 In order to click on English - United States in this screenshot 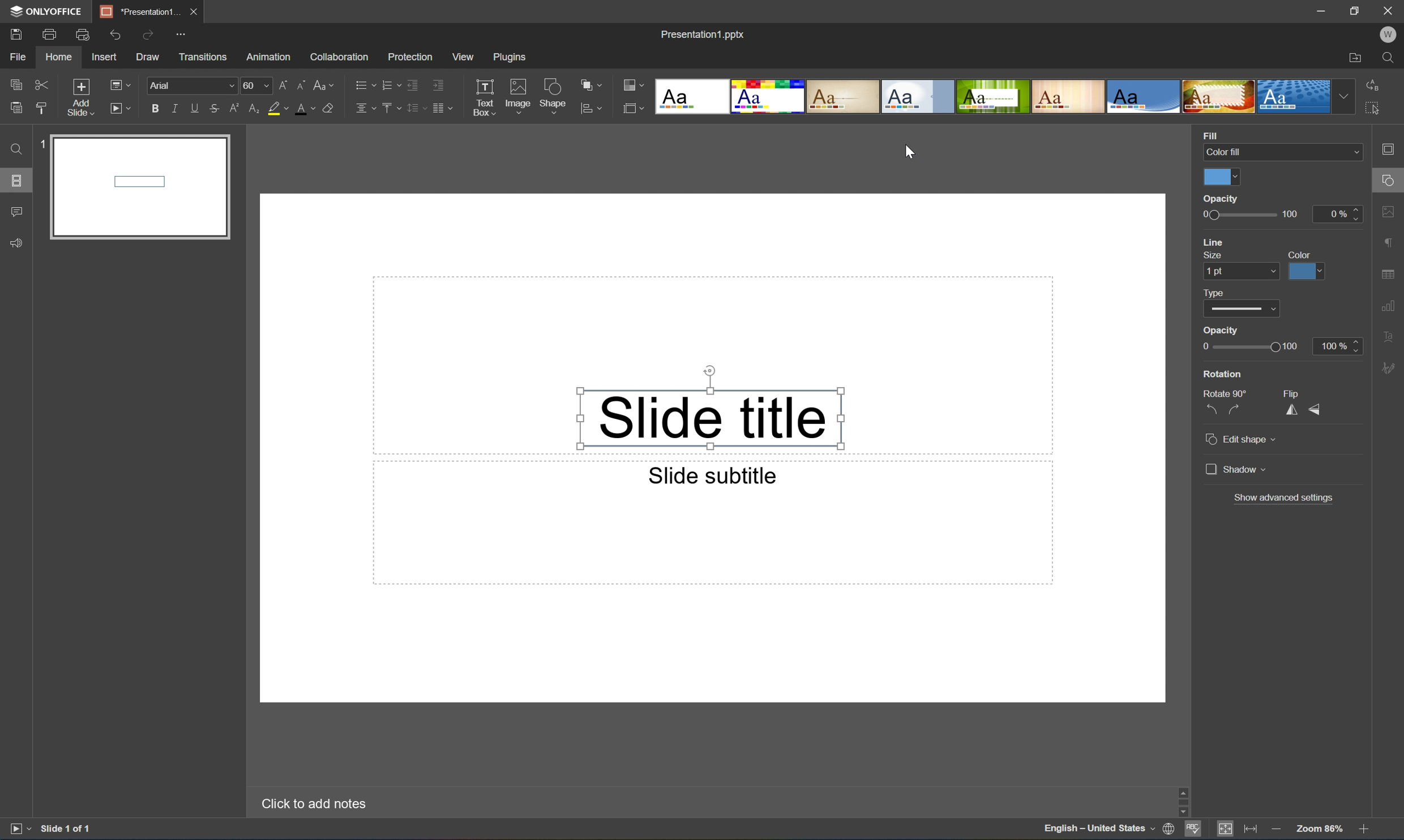, I will do `click(1099, 831)`.